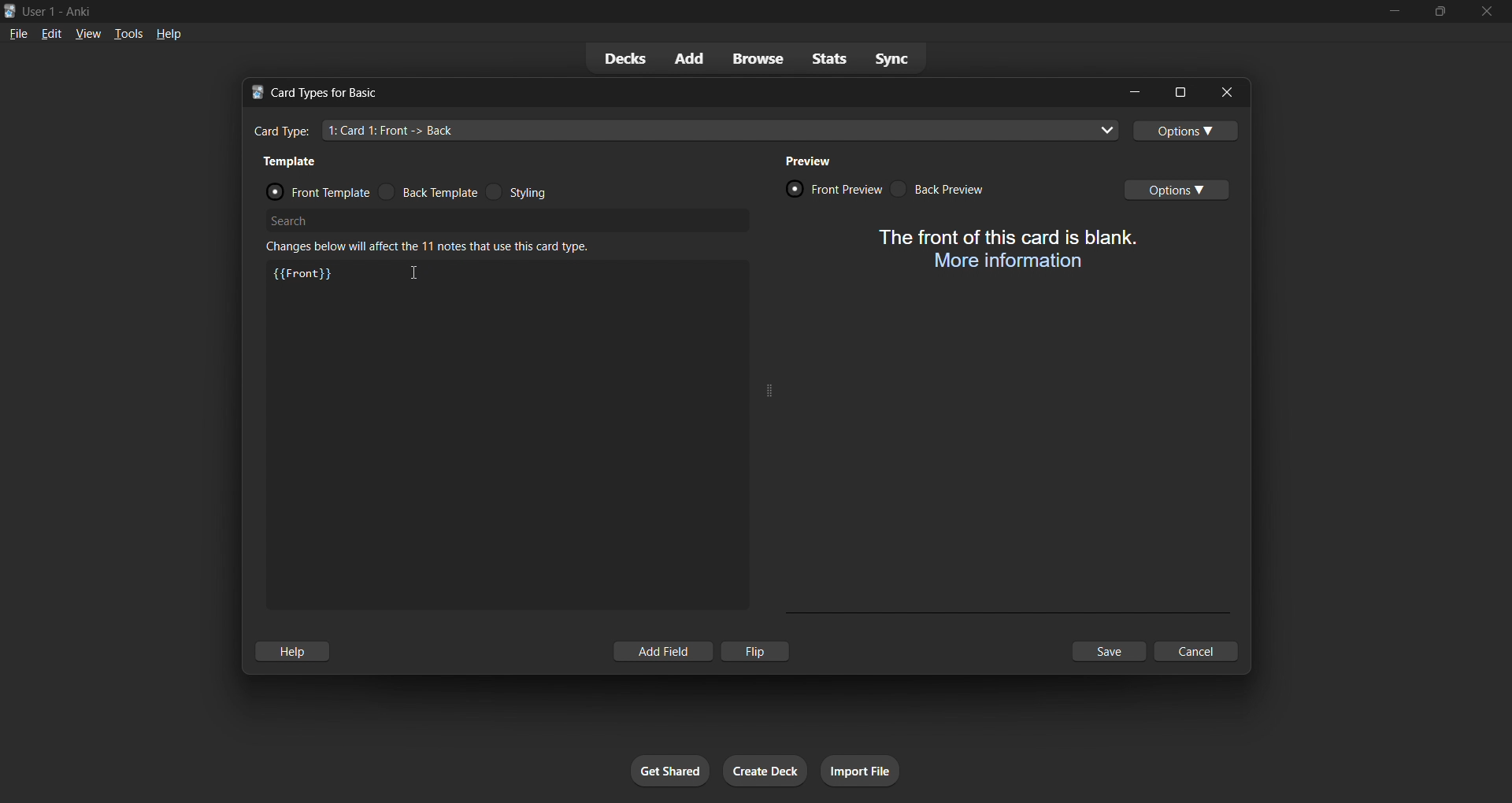 The image size is (1512, 803). What do you see at coordinates (171, 35) in the screenshot?
I see `help` at bounding box center [171, 35].